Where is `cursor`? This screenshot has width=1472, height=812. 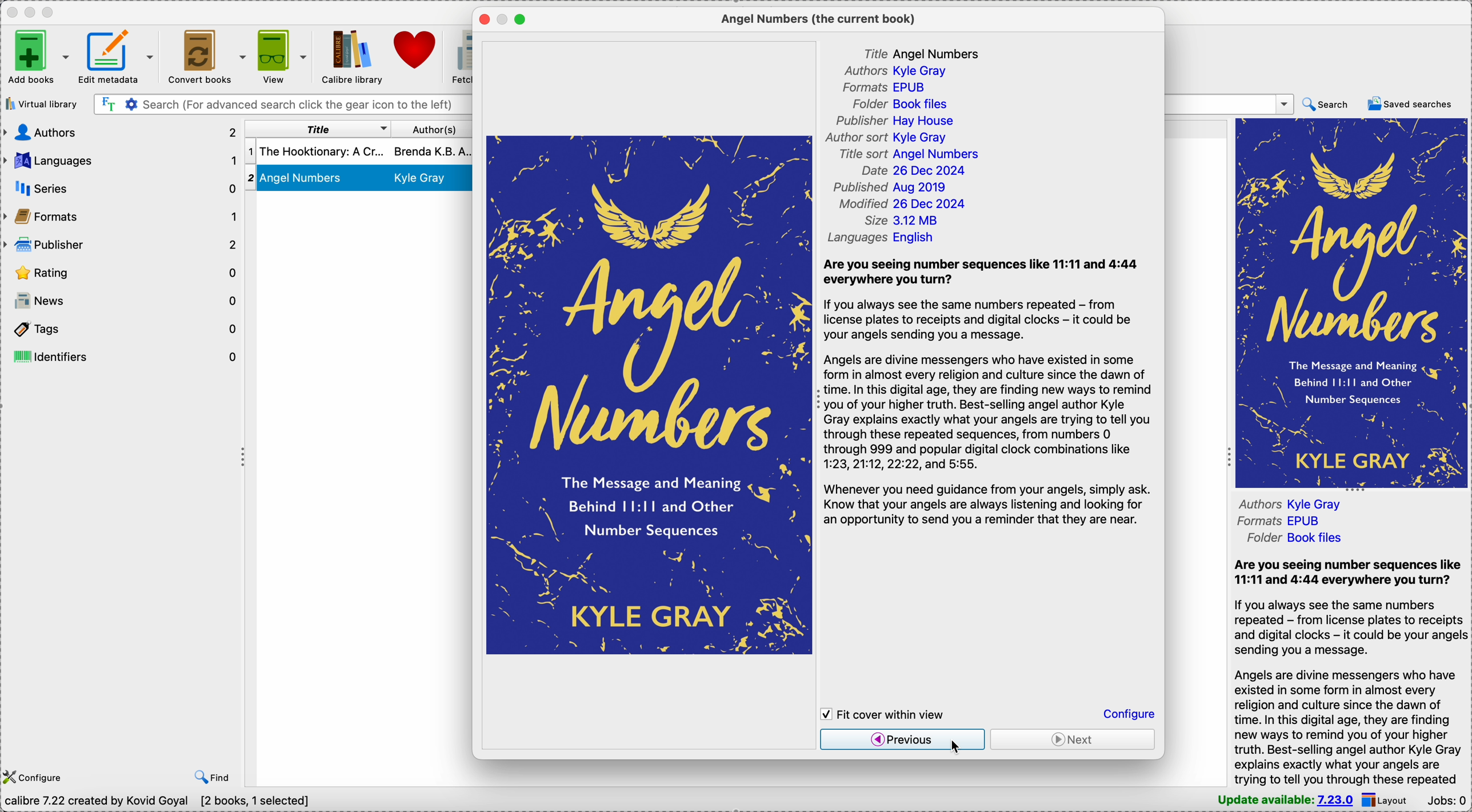 cursor is located at coordinates (955, 747).